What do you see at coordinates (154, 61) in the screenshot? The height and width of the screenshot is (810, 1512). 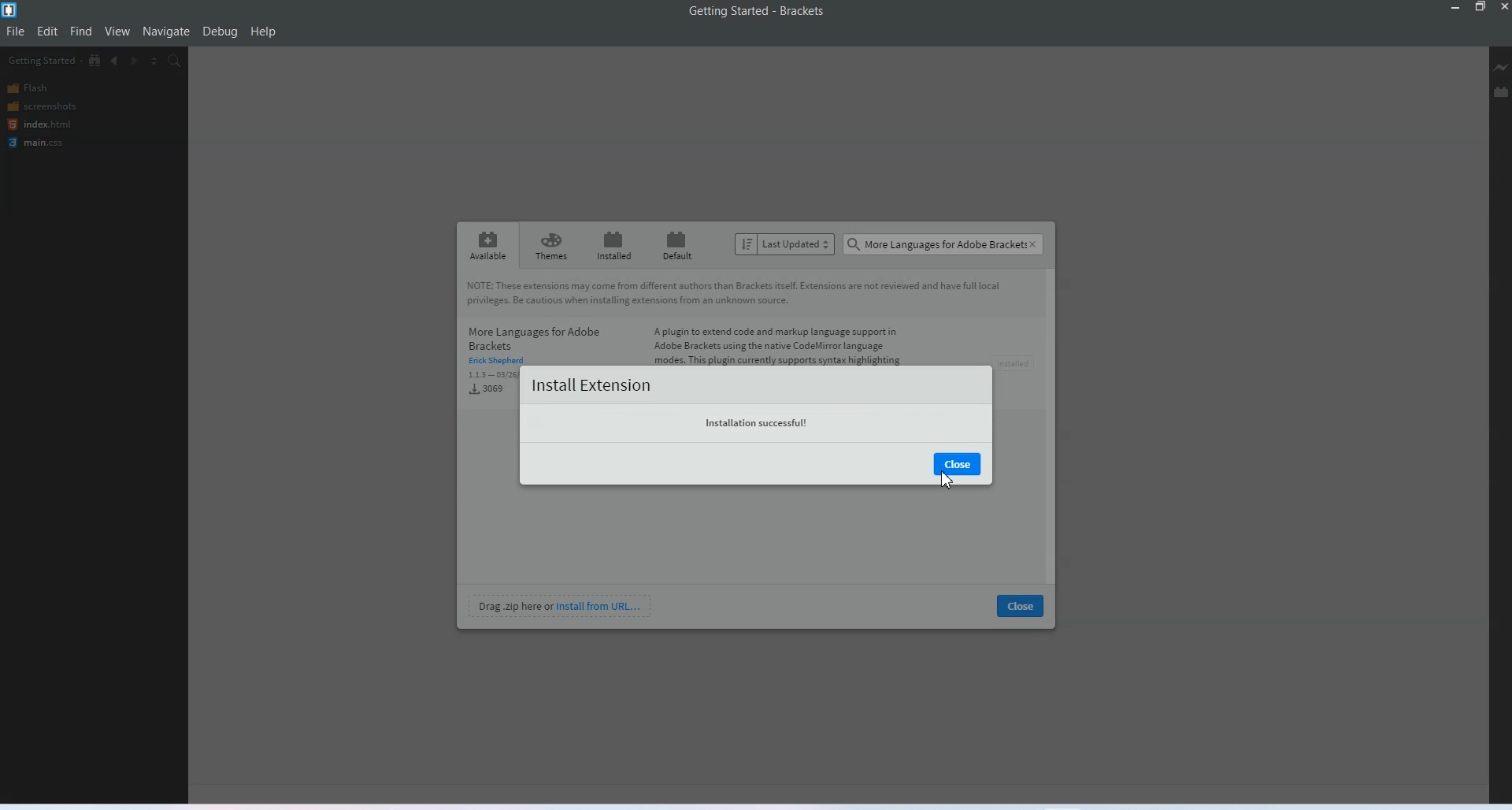 I see `Split the editor vertically or horizontally` at bounding box center [154, 61].